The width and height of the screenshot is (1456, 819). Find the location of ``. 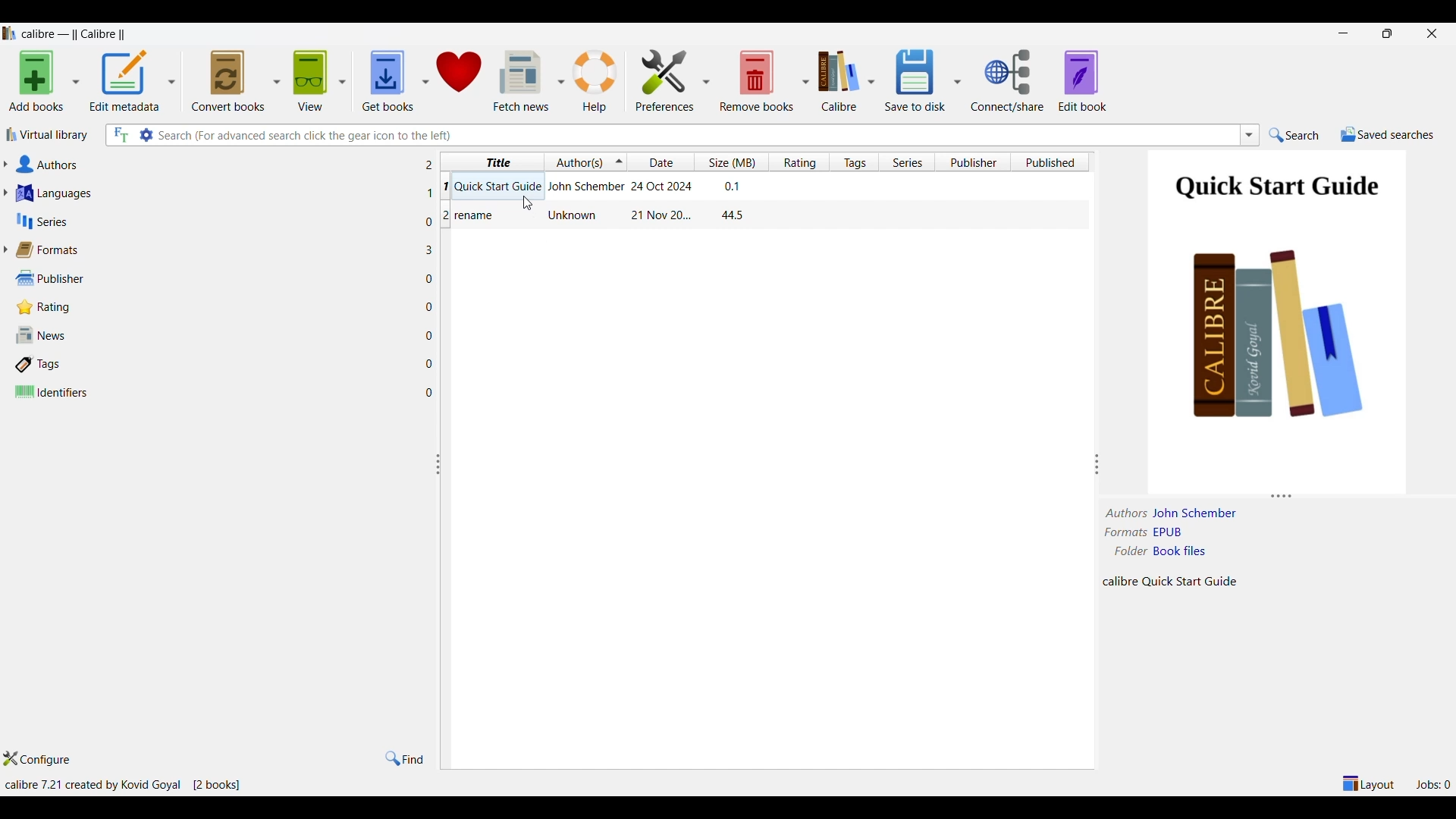

 is located at coordinates (1275, 318).